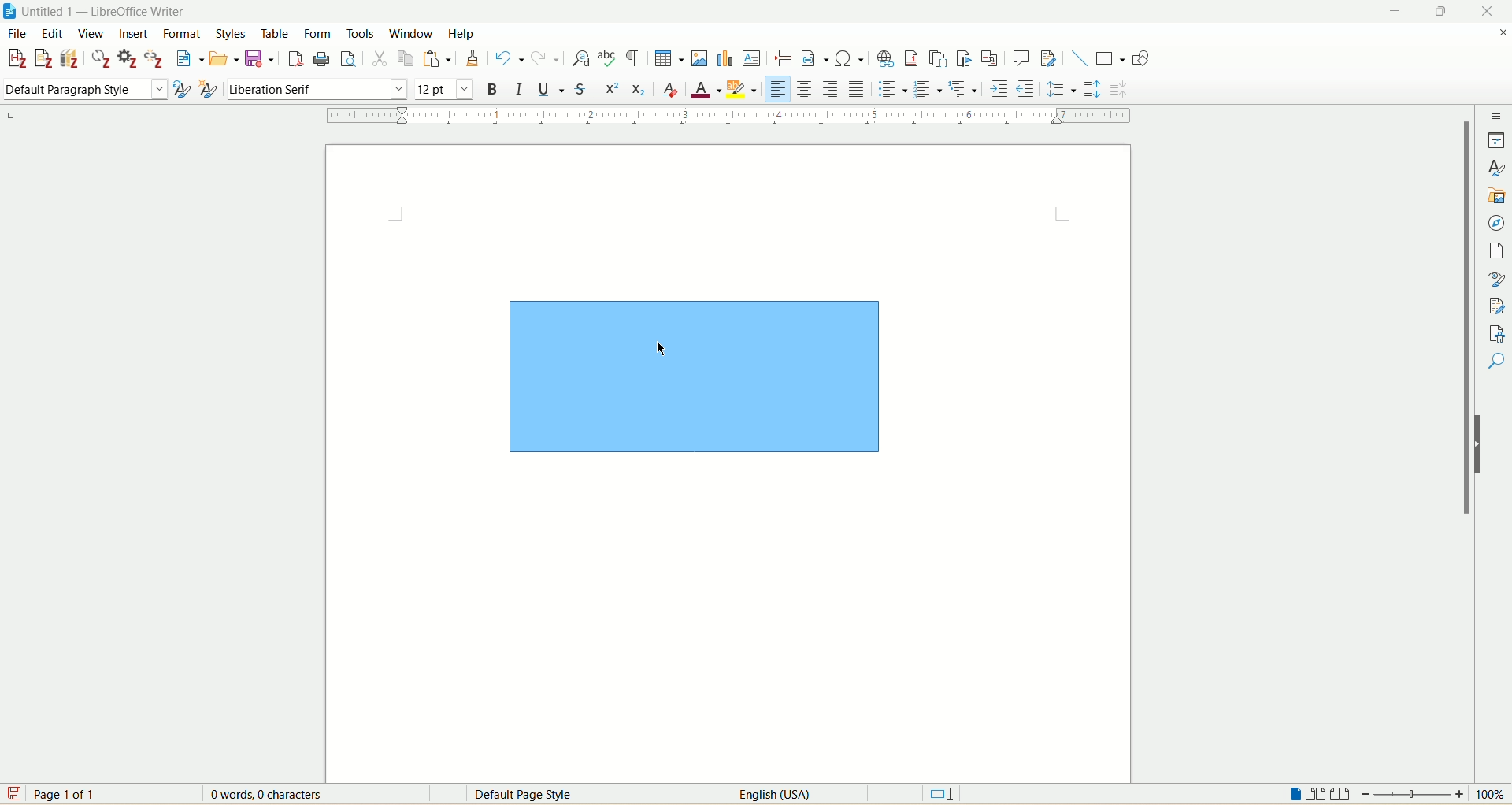 The width and height of the screenshot is (1512, 805). What do you see at coordinates (50, 33) in the screenshot?
I see `edit` at bounding box center [50, 33].